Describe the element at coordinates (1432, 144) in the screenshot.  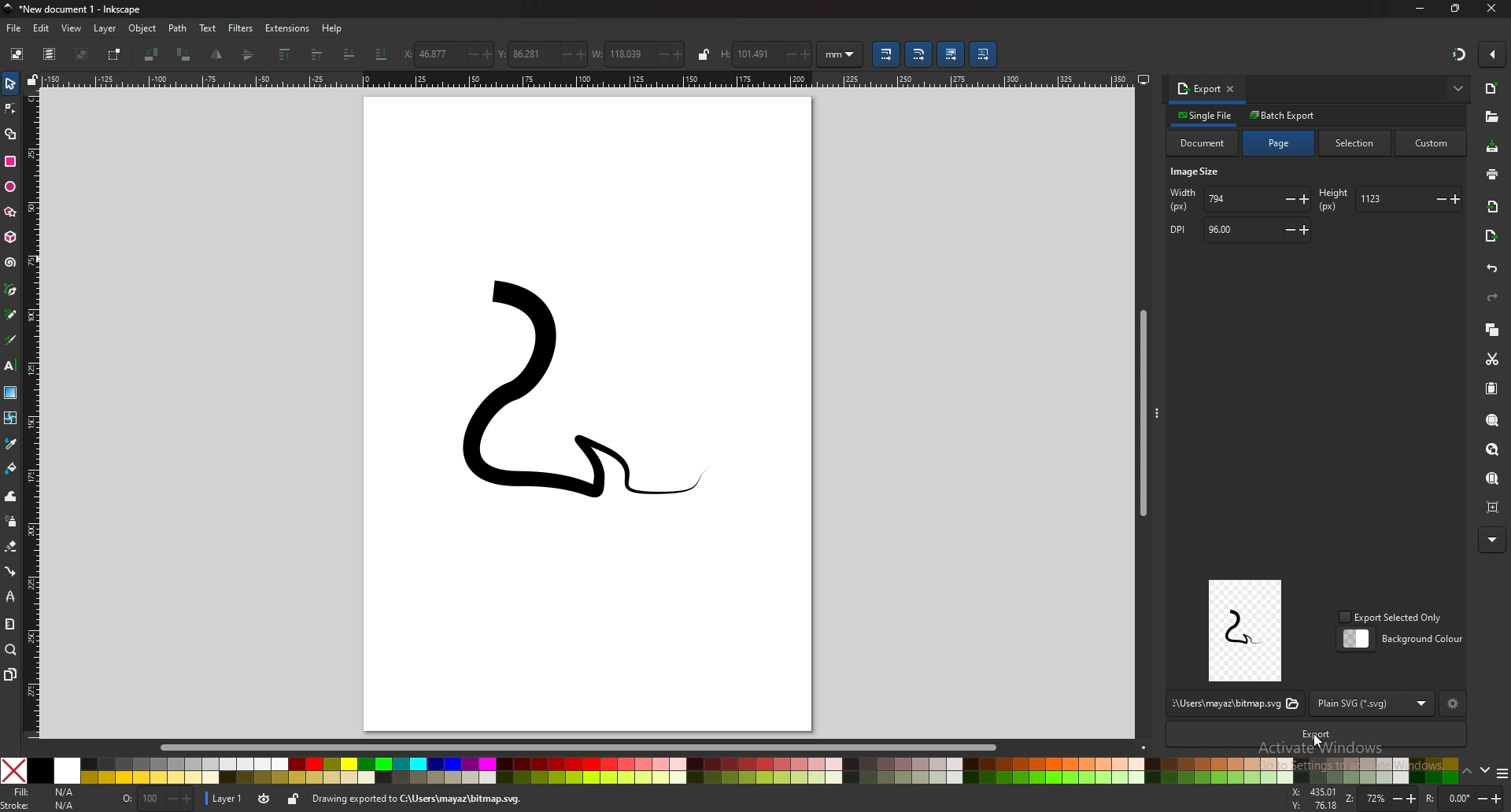
I see `custom` at that location.